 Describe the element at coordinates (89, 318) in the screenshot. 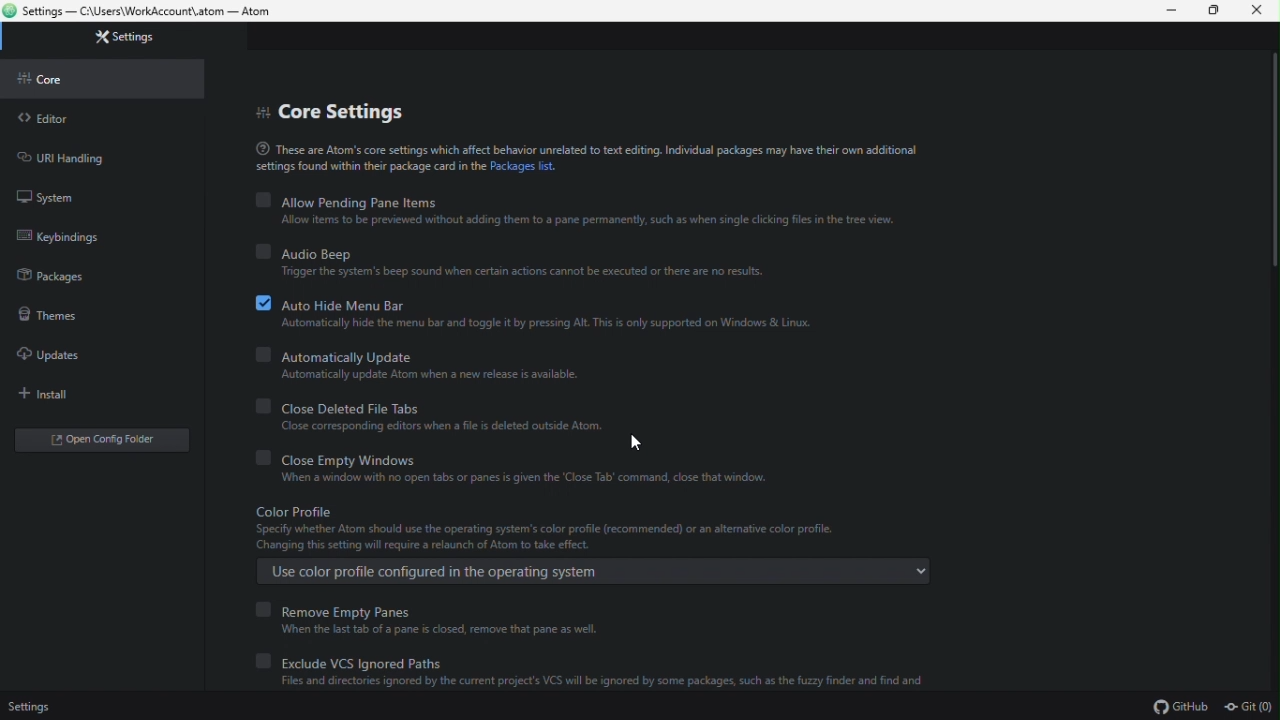

I see `themes` at that location.